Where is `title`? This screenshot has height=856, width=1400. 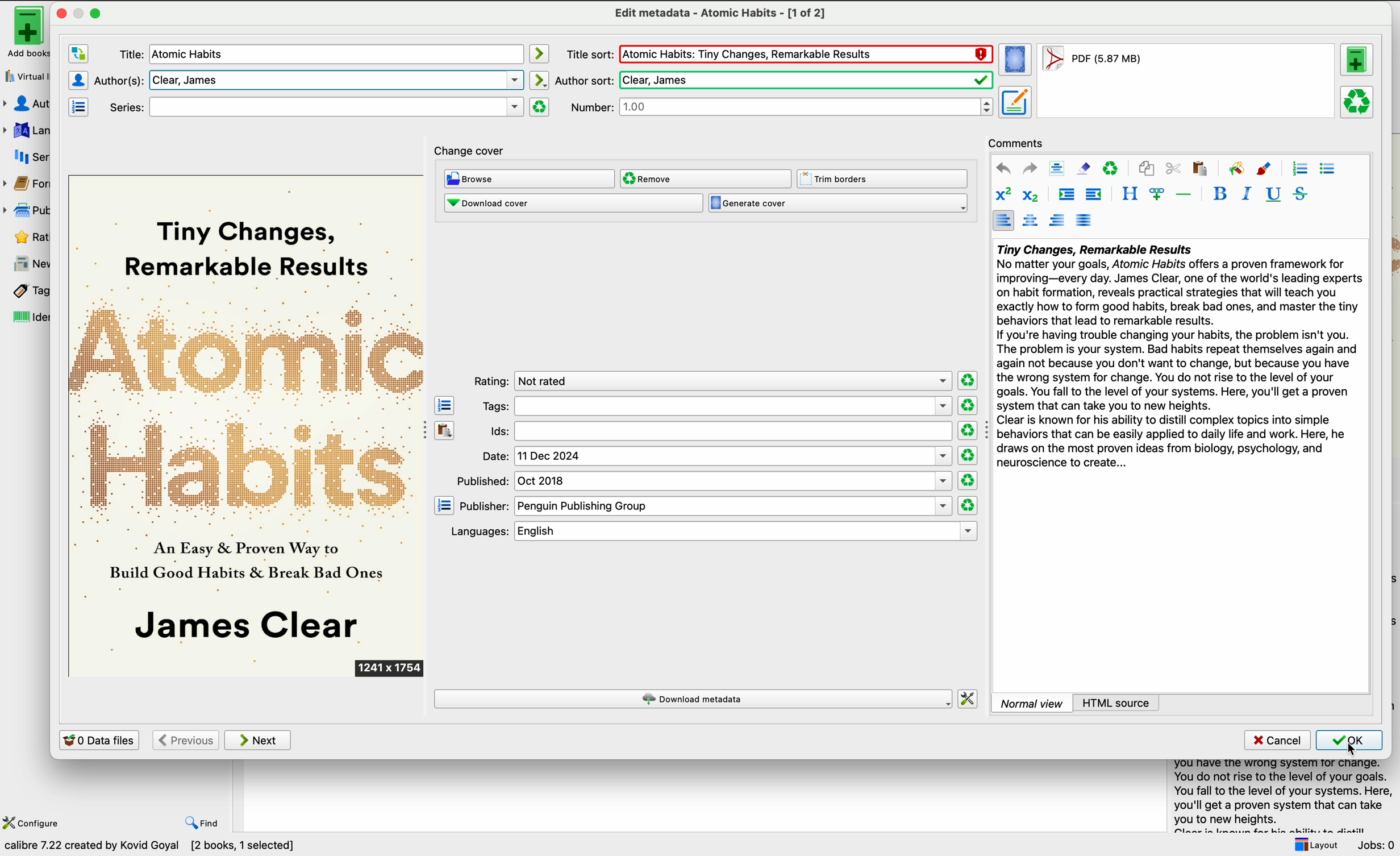 title is located at coordinates (316, 106).